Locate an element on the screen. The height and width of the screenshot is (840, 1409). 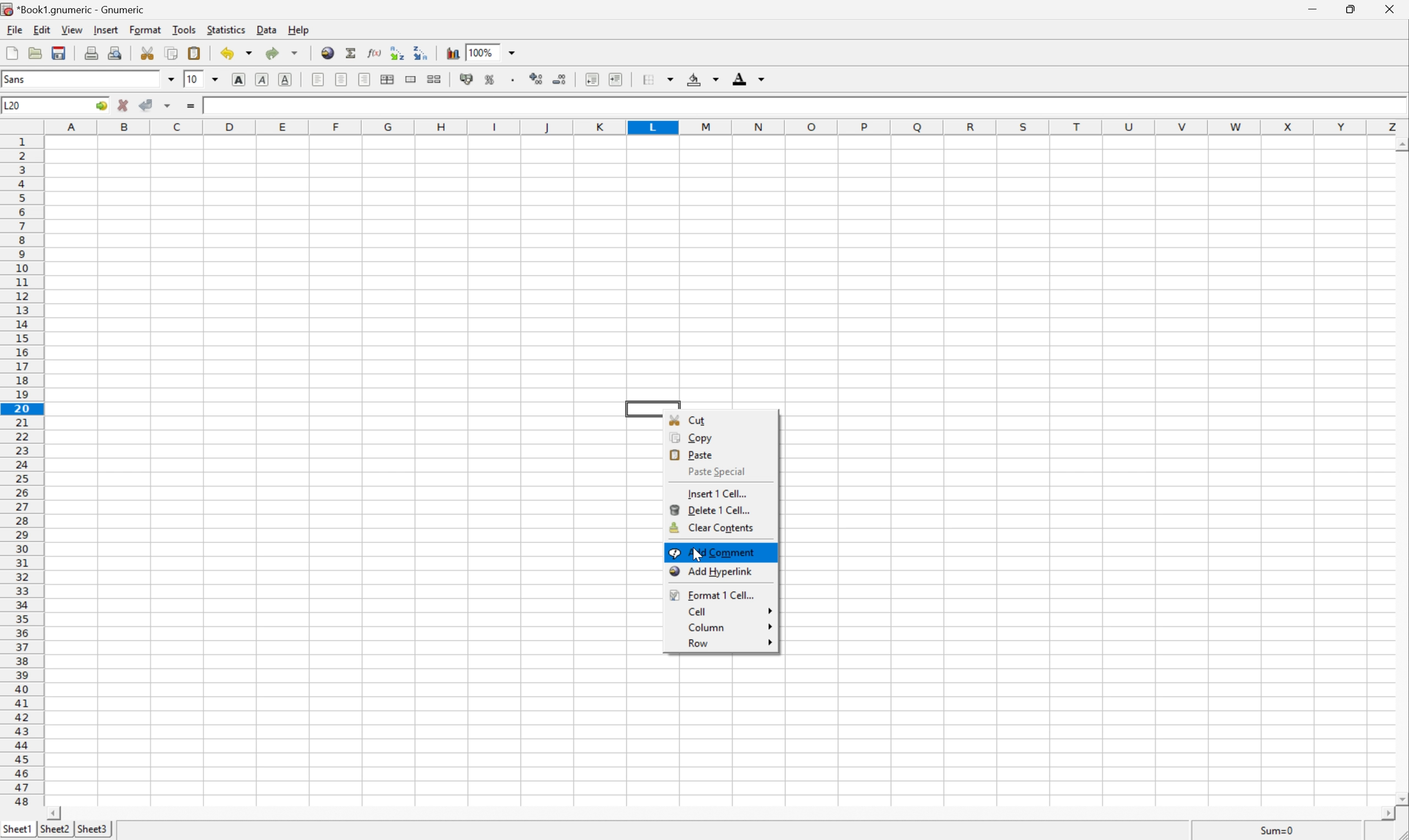
Save current workbook is located at coordinates (60, 53).